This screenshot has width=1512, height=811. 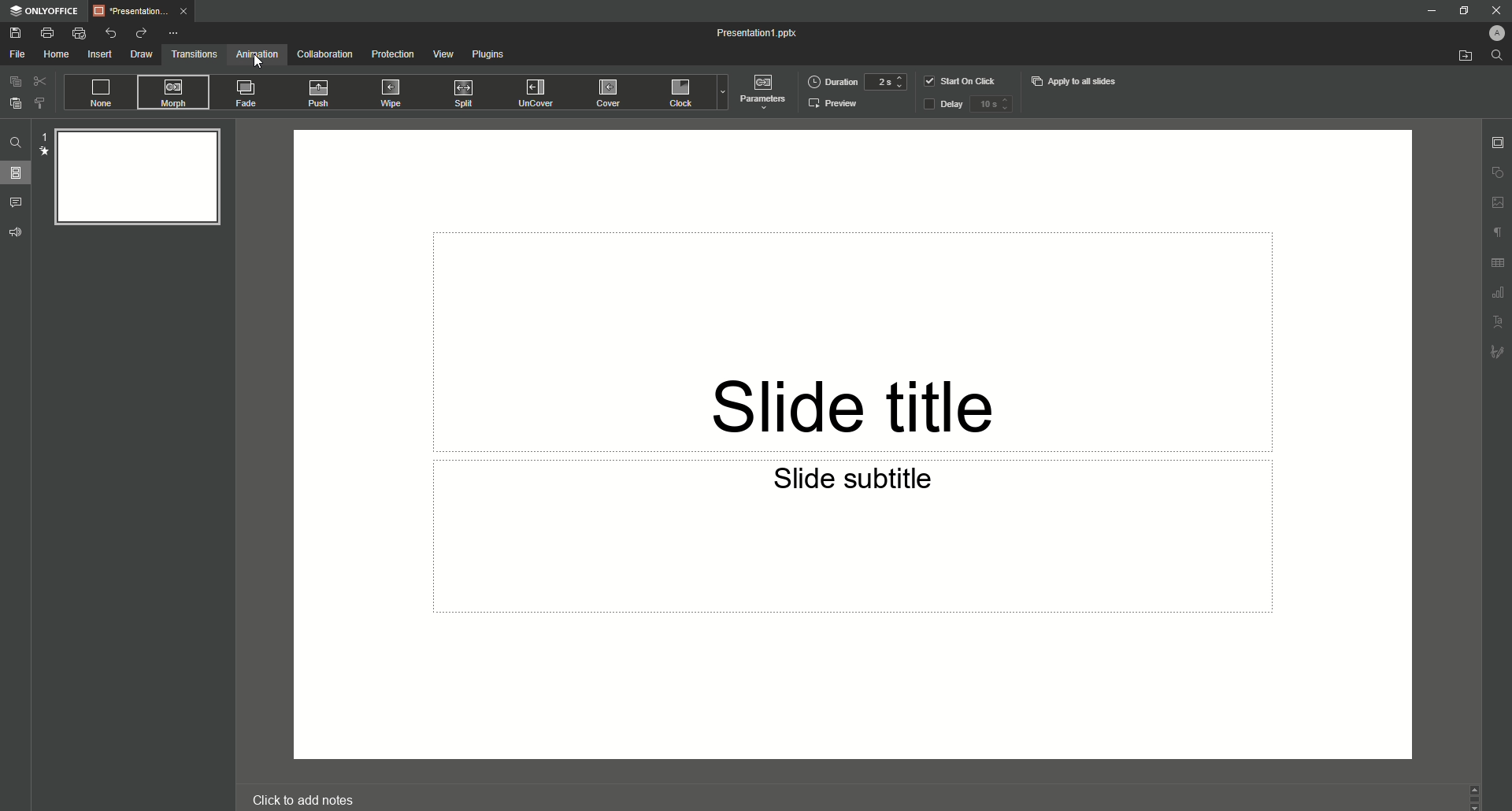 I want to click on Home, so click(x=57, y=55).